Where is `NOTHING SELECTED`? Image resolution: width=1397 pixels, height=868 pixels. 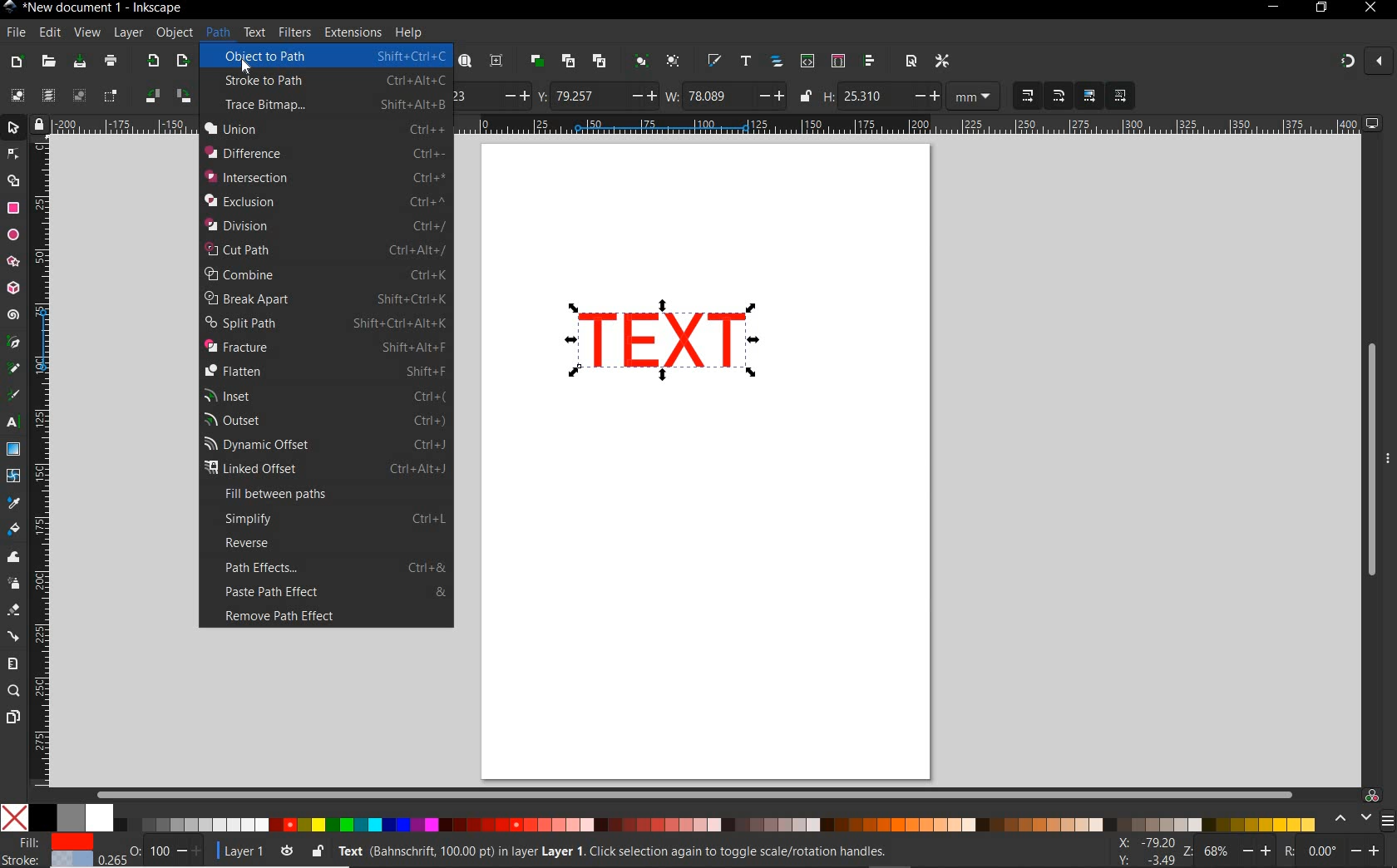 NOTHING SELECTED is located at coordinates (166, 854).